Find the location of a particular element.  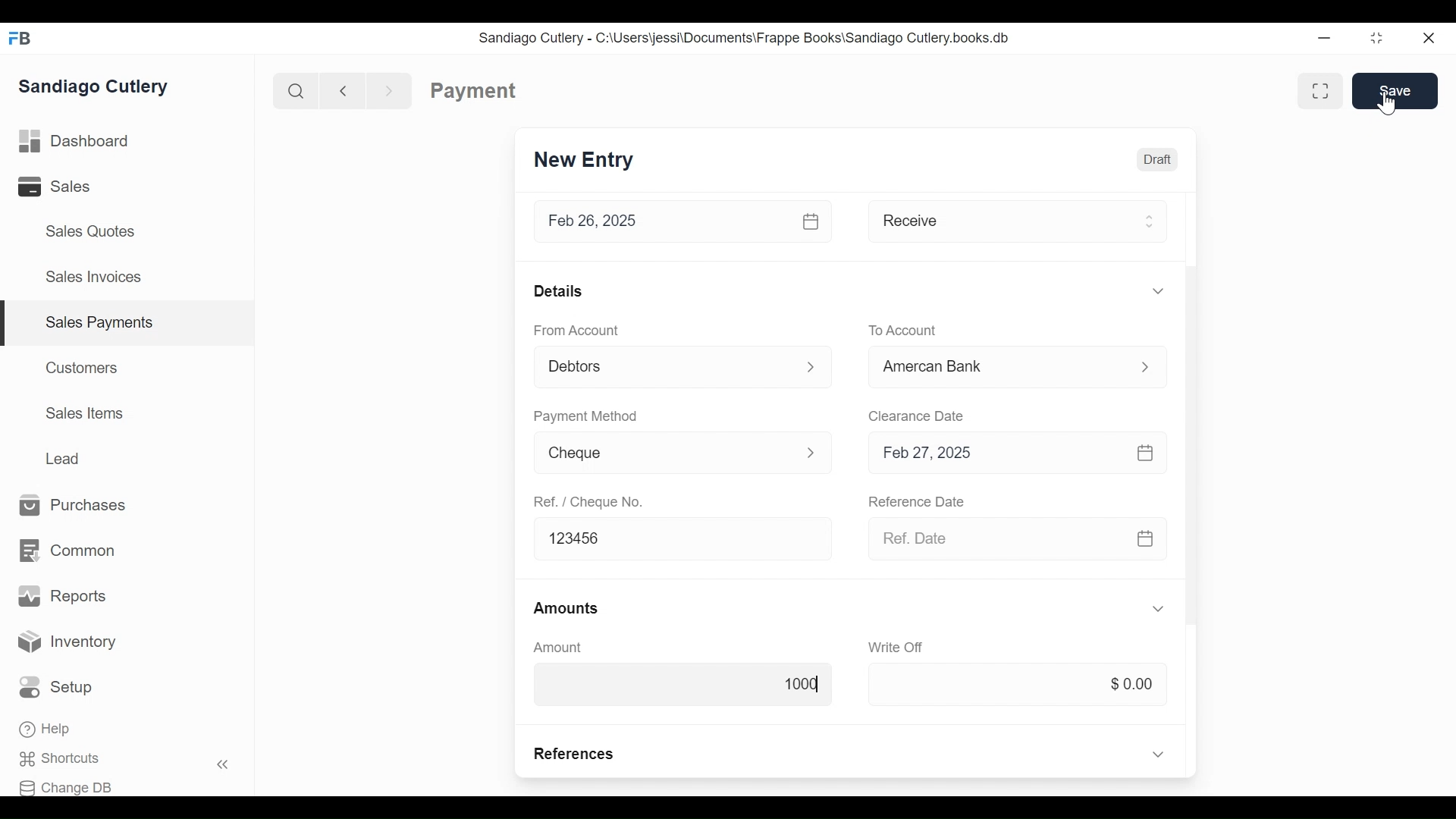

Clearance Date is located at coordinates (917, 415).